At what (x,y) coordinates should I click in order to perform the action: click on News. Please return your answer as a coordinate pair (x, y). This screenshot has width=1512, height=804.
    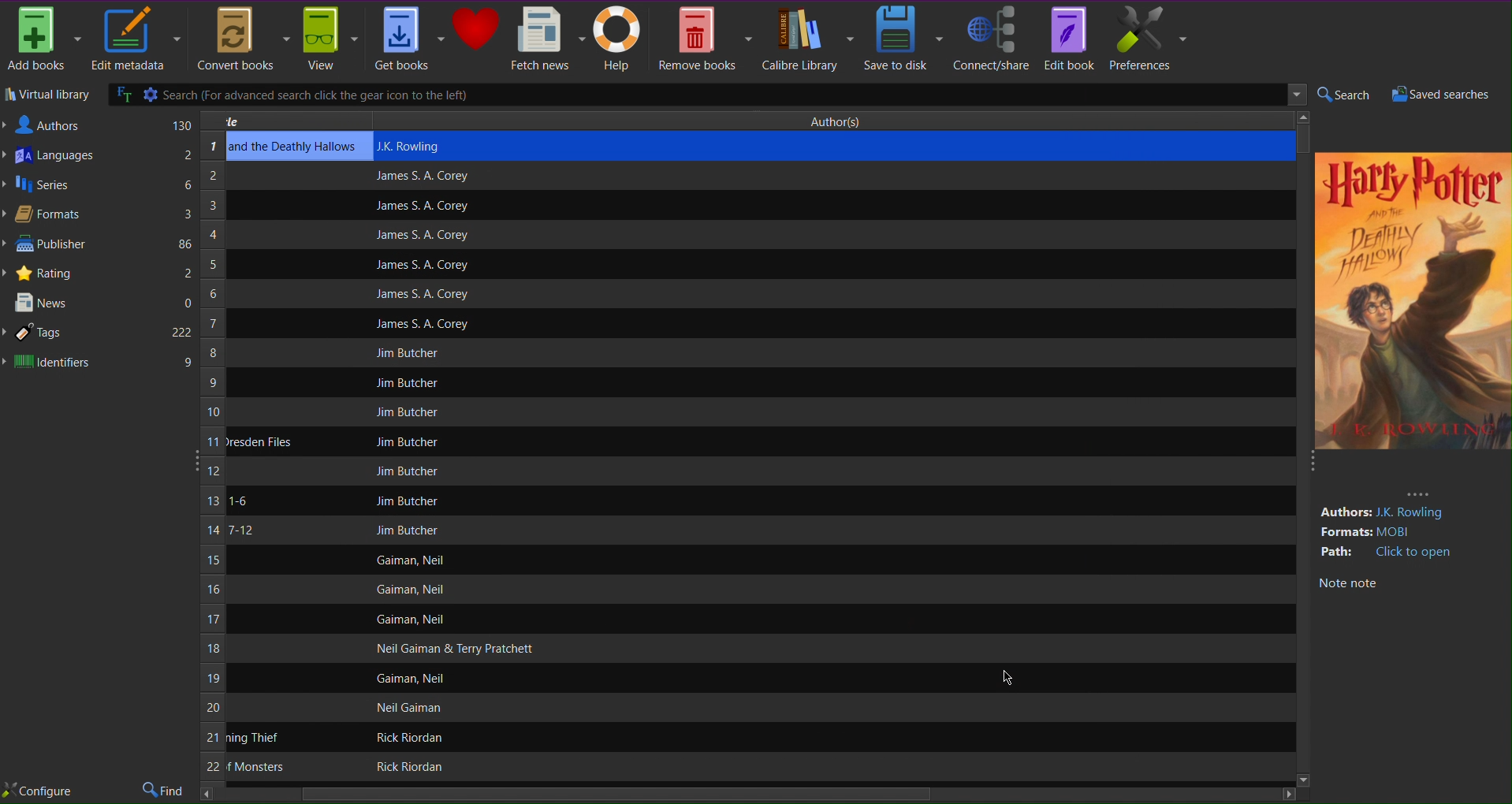
    Looking at the image, I should click on (101, 303).